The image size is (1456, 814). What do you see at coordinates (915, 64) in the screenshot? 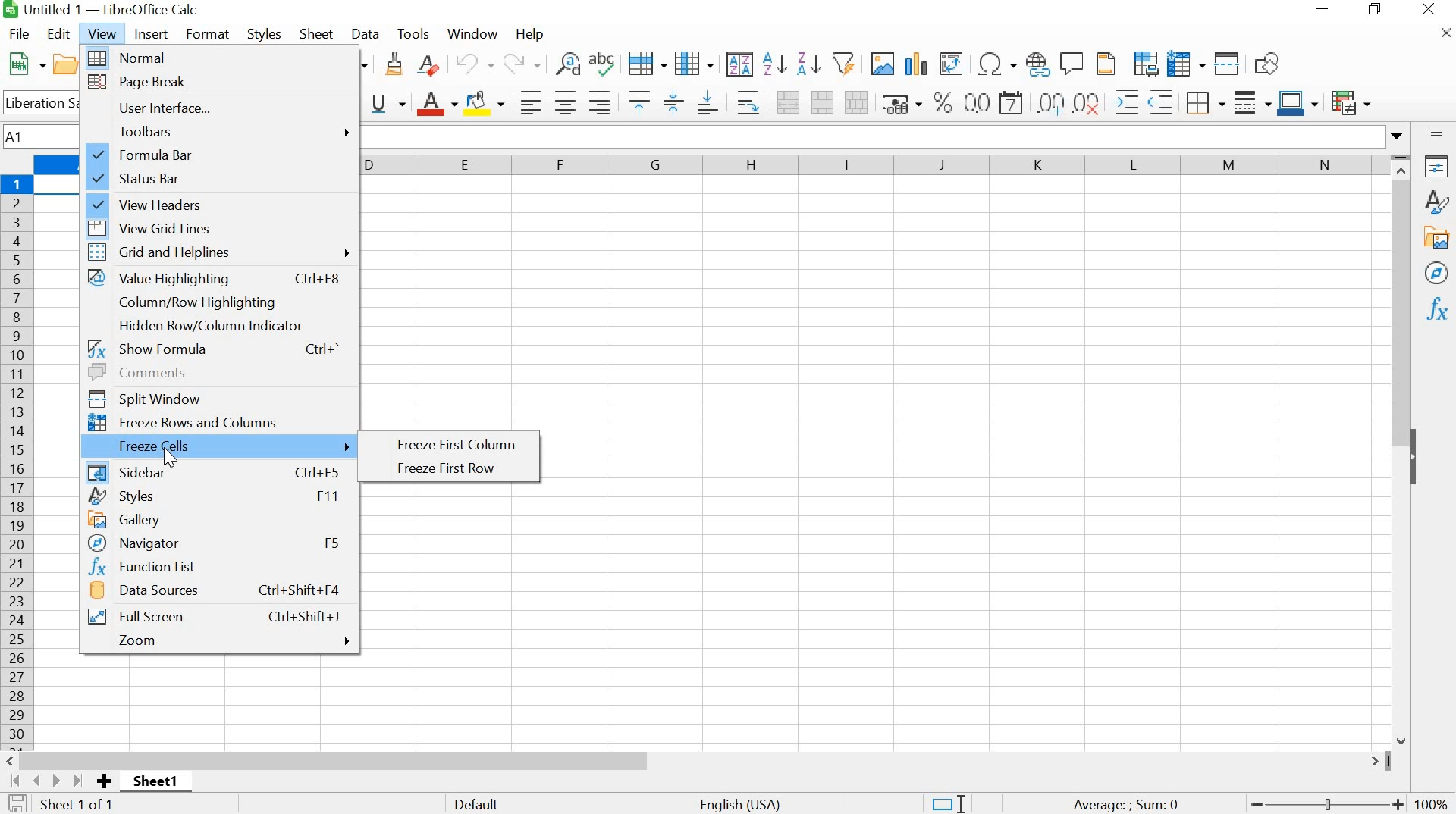
I see `CHART` at bounding box center [915, 64].